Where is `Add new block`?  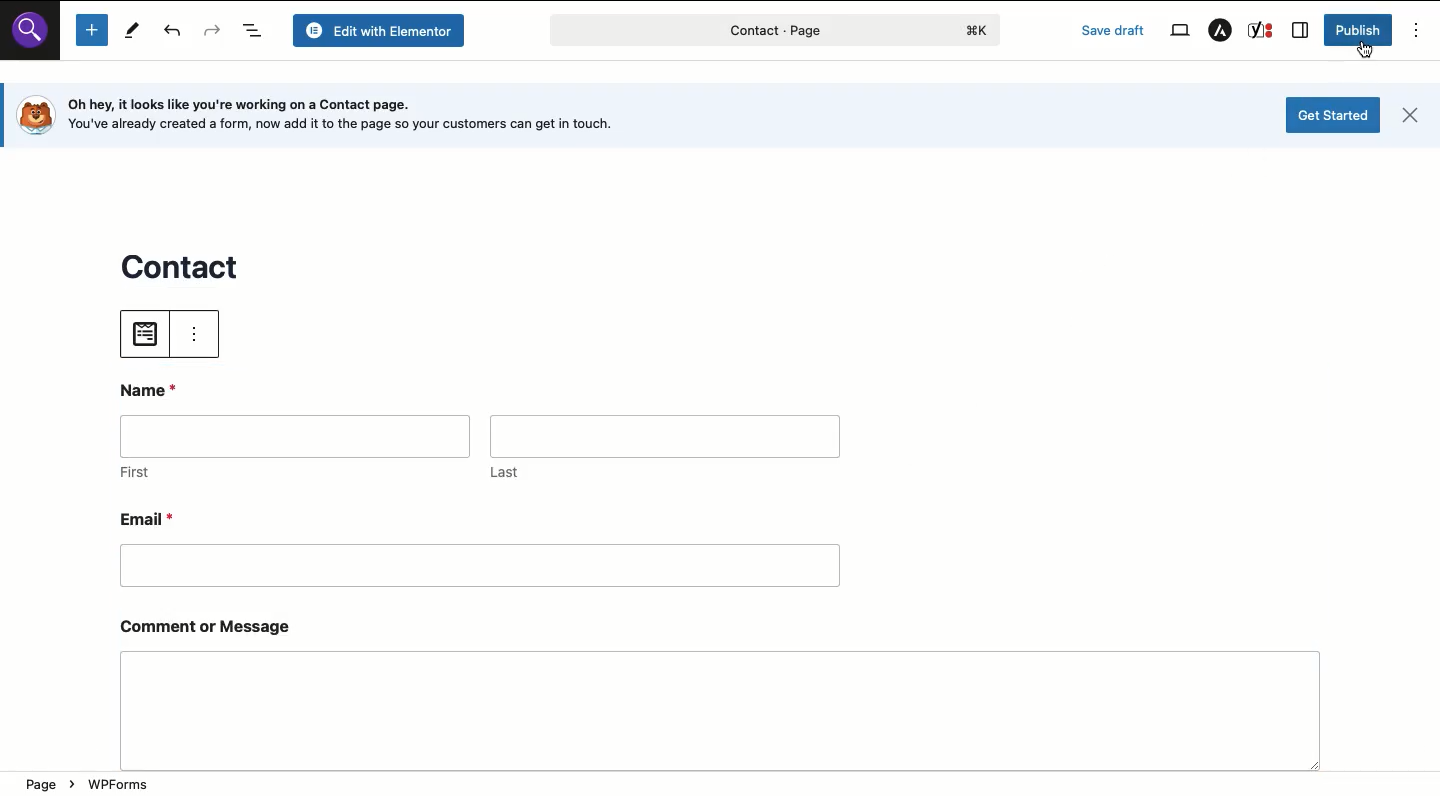
Add new block is located at coordinates (91, 31).